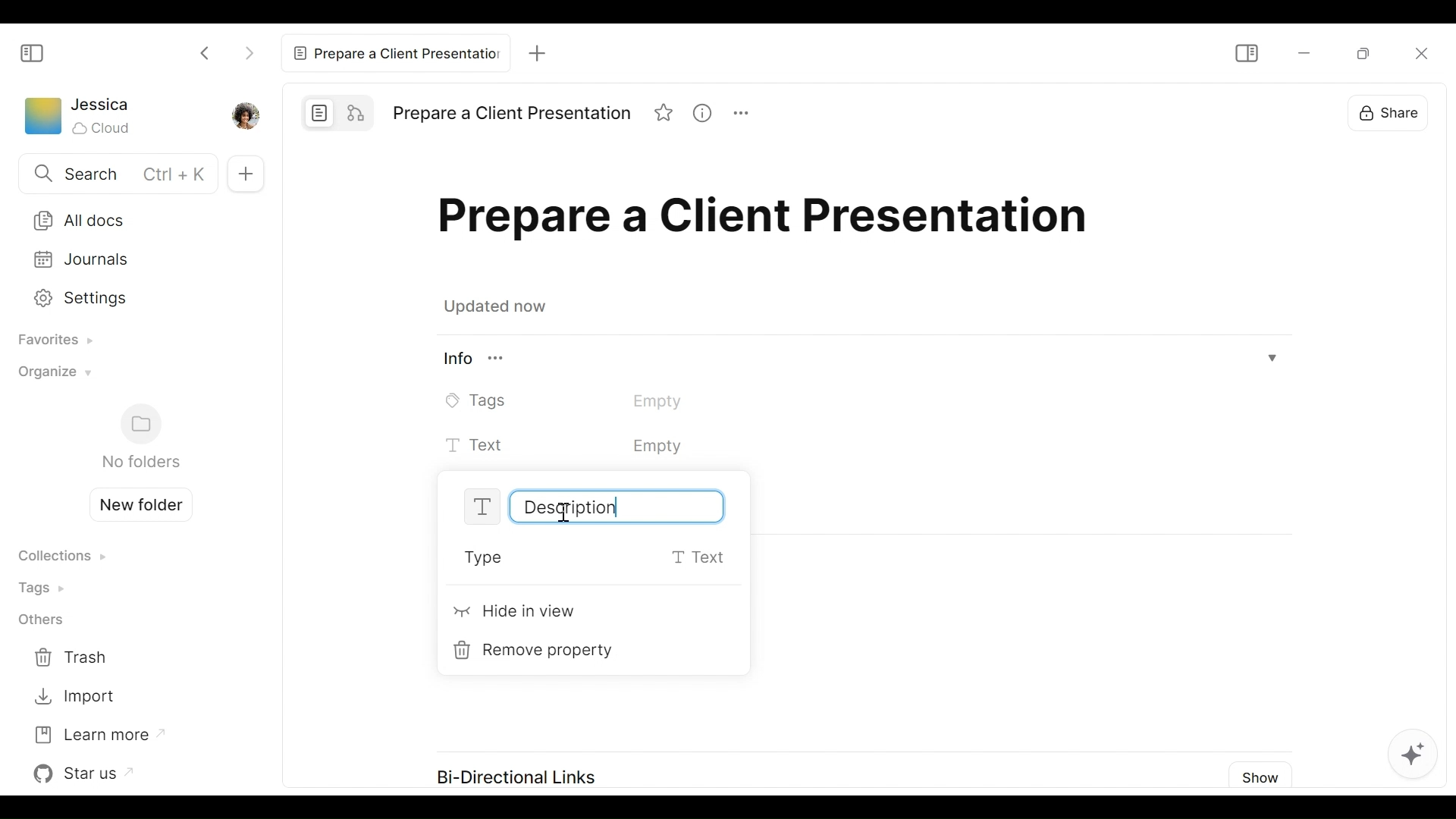  I want to click on Click to go back, so click(206, 52).